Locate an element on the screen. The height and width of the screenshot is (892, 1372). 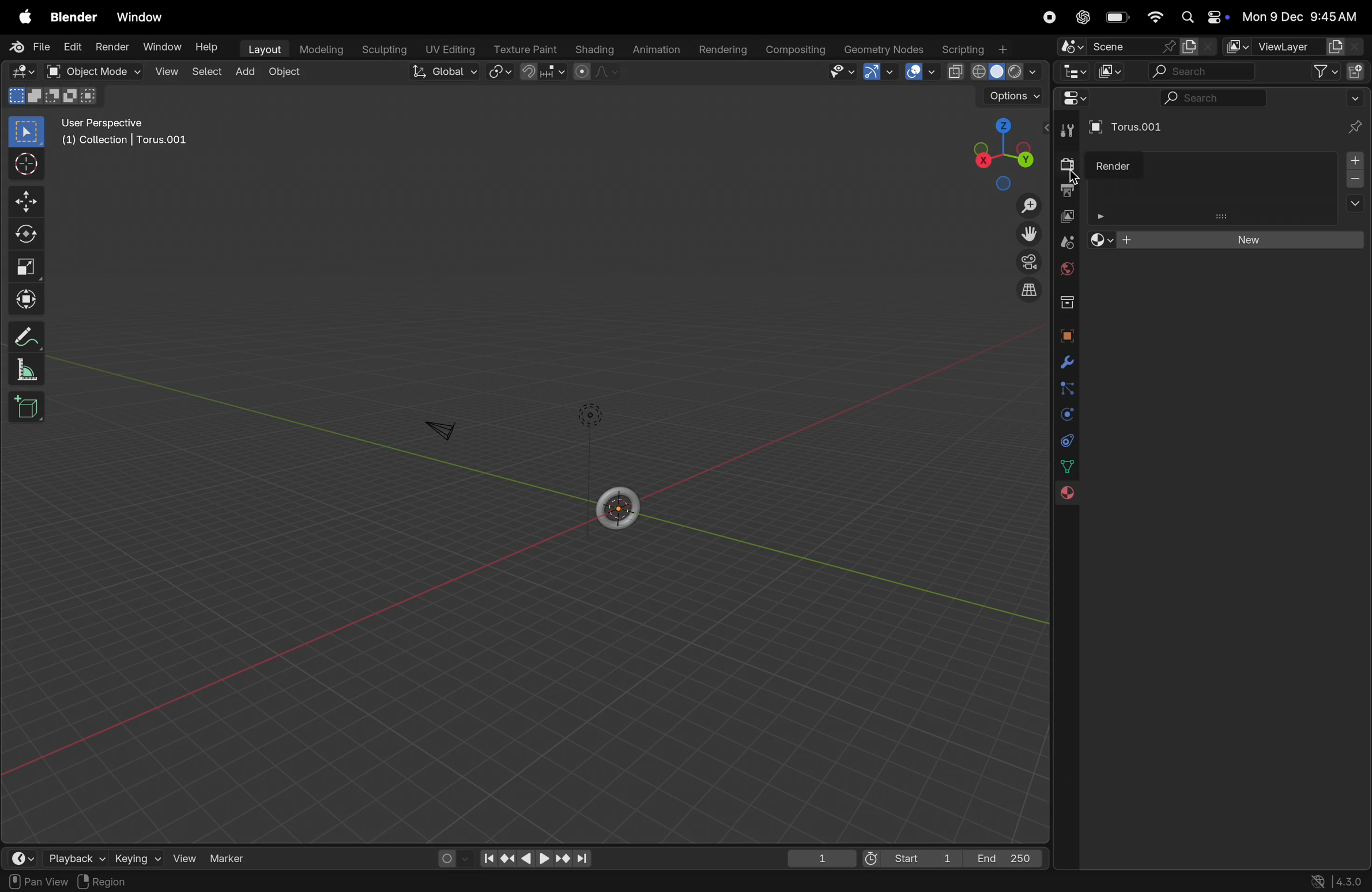
scale is located at coordinates (28, 371).